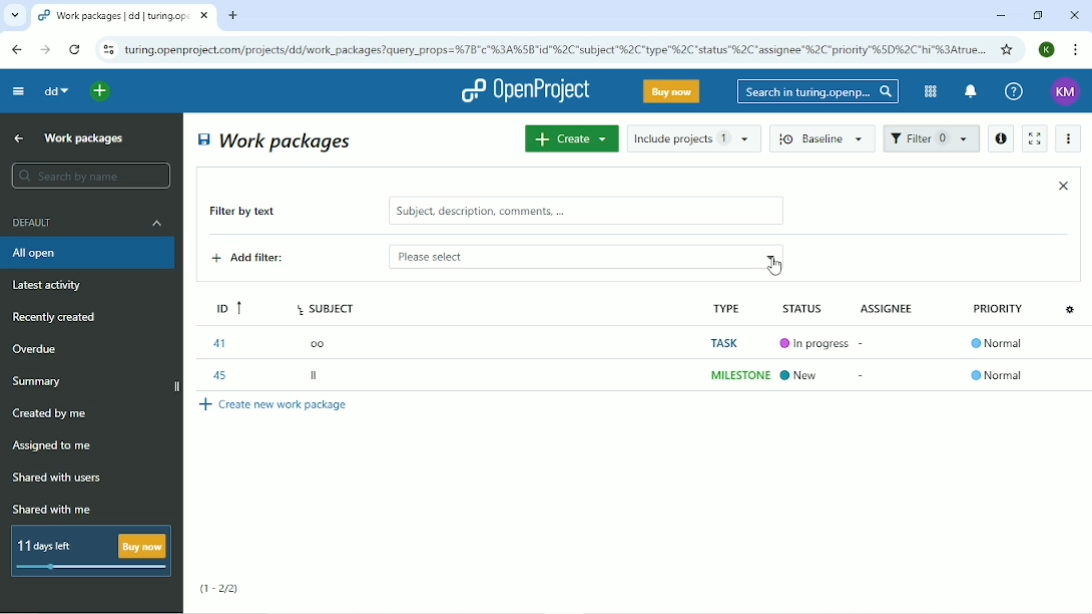 This screenshot has height=614, width=1092. Describe the element at coordinates (1014, 92) in the screenshot. I see `Help` at that location.